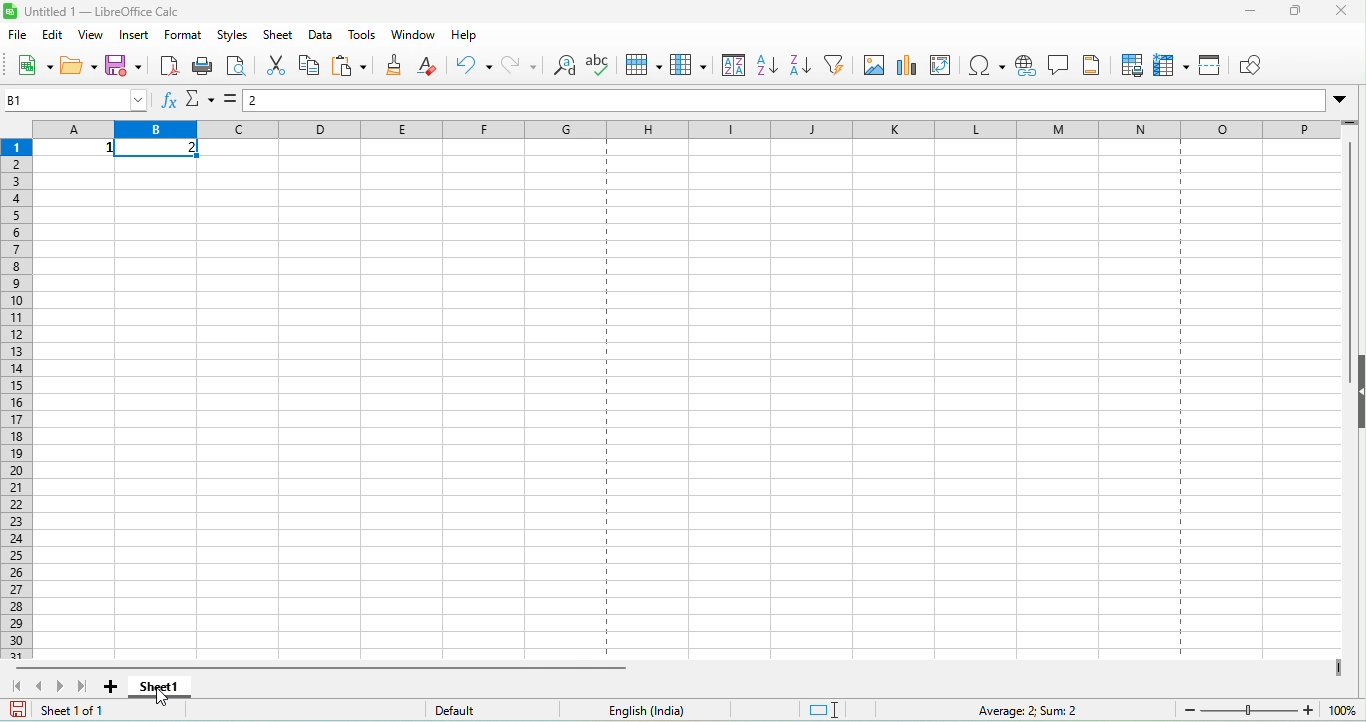 This screenshot has width=1366, height=722. What do you see at coordinates (362, 34) in the screenshot?
I see `tools` at bounding box center [362, 34].